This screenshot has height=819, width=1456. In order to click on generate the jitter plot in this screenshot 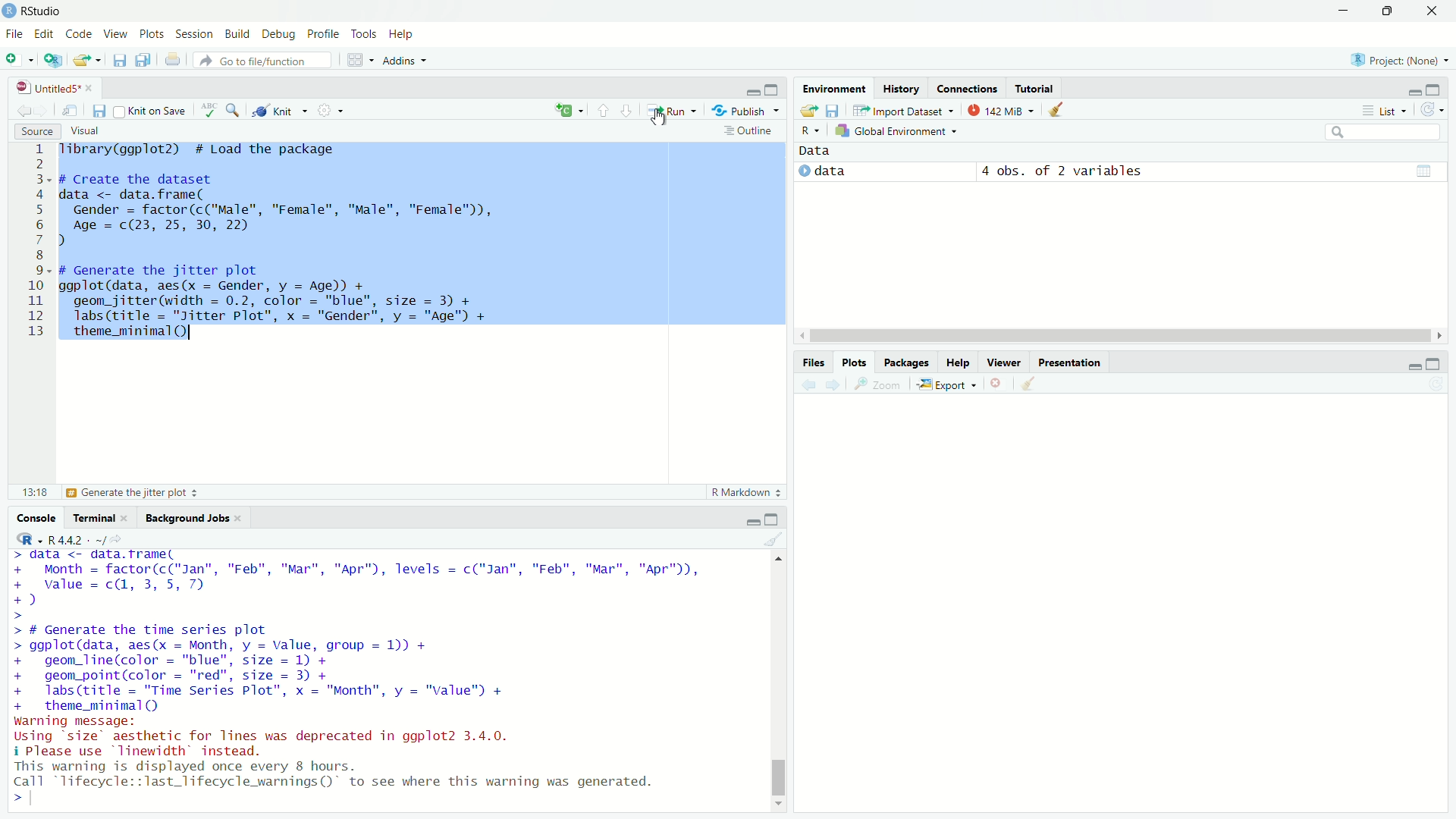, I will do `click(136, 493)`.